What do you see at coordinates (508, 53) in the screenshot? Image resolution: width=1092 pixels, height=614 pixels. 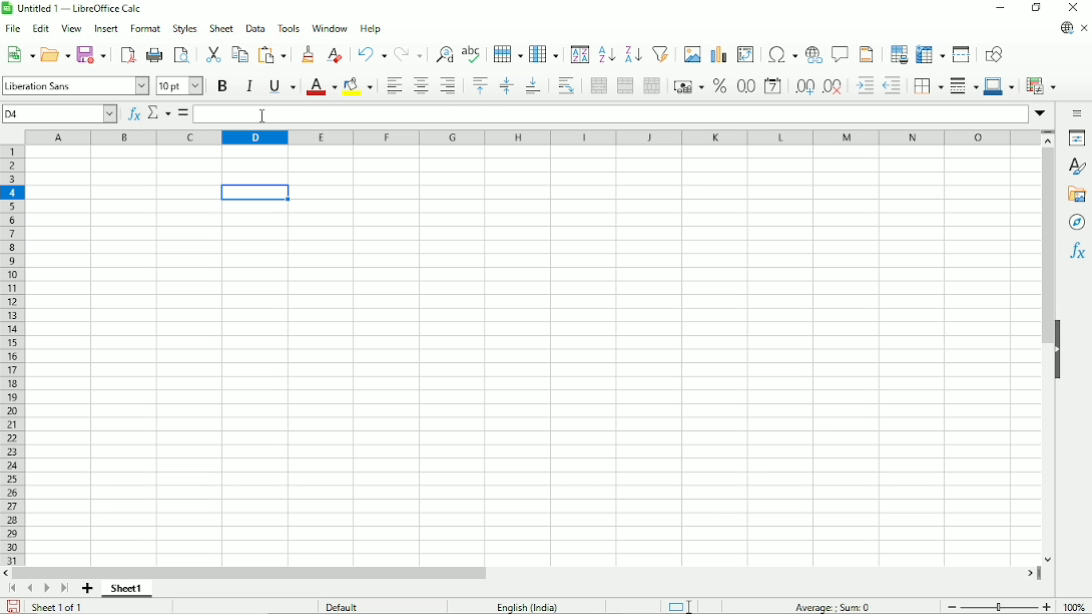 I see `Row` at bounding box center [508, 53].